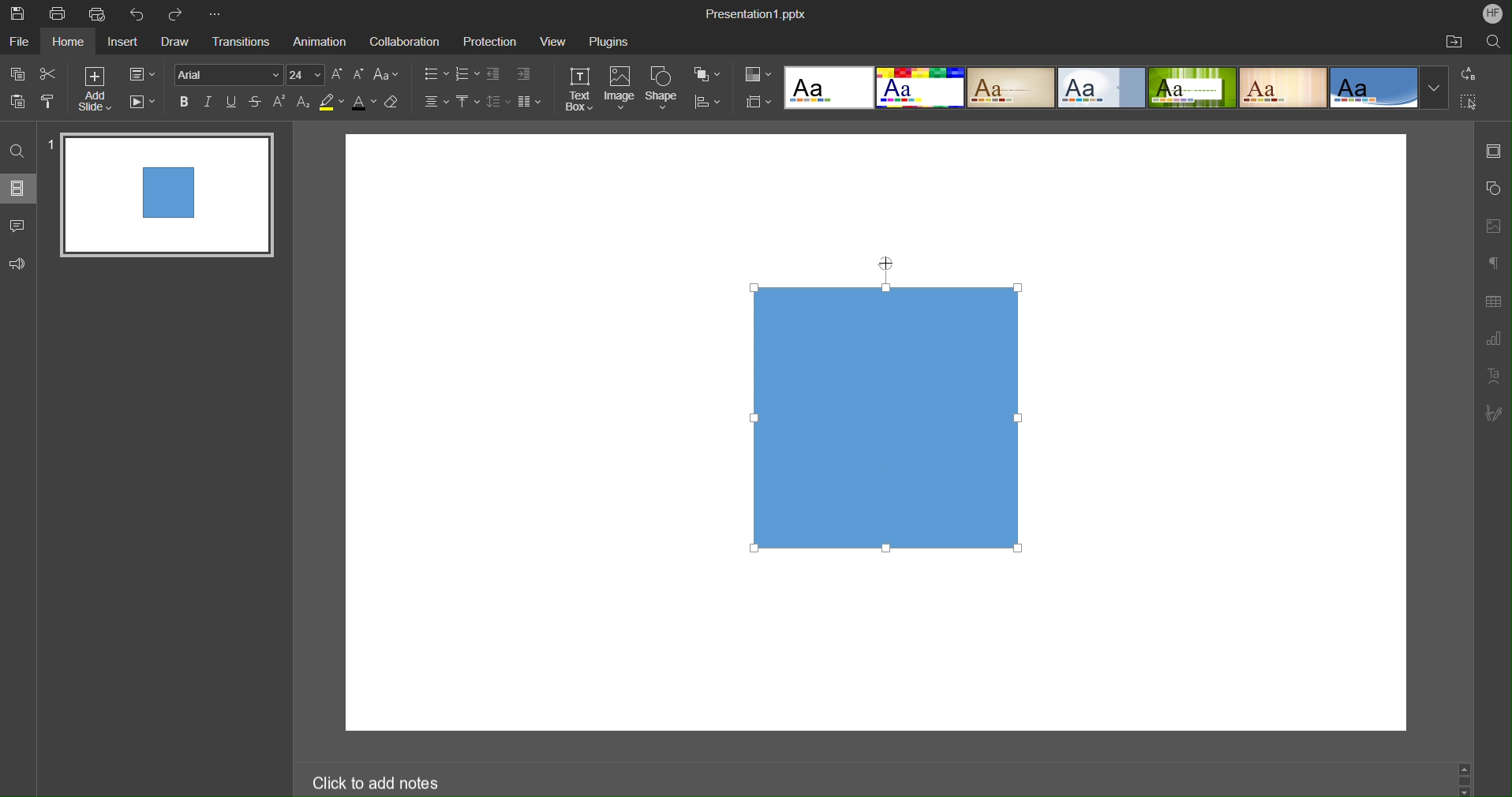 This screenshot has height=797, width=1512. What do you see at coordinates (238, 40) in the screenshot?
I see `Transitions` at bounding box center [238, 40].